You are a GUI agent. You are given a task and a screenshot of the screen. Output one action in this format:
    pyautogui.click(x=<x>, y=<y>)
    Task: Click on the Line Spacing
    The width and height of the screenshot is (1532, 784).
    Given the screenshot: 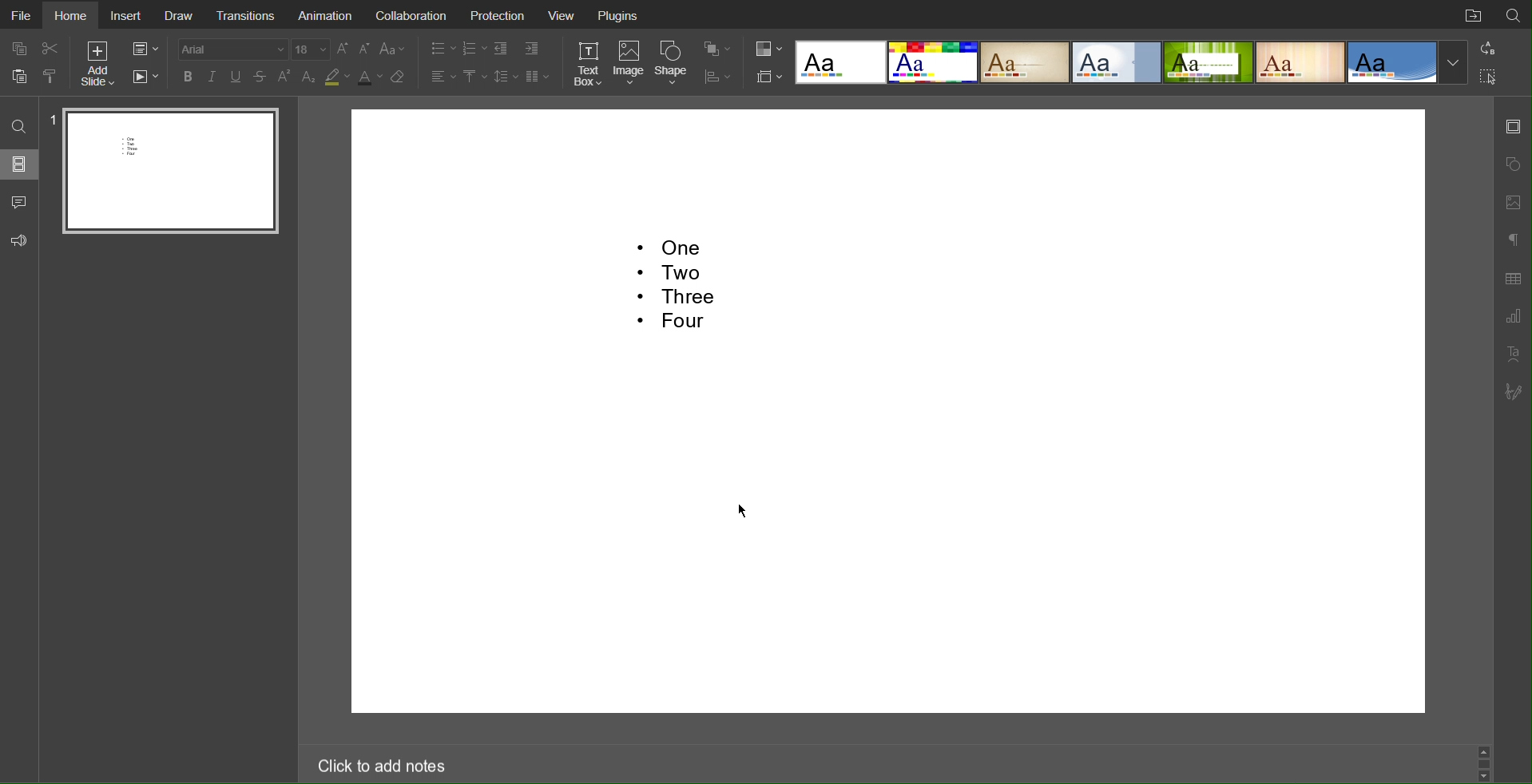 What is the action you would take?
    pyautogui.click(x=506, y=76)
    